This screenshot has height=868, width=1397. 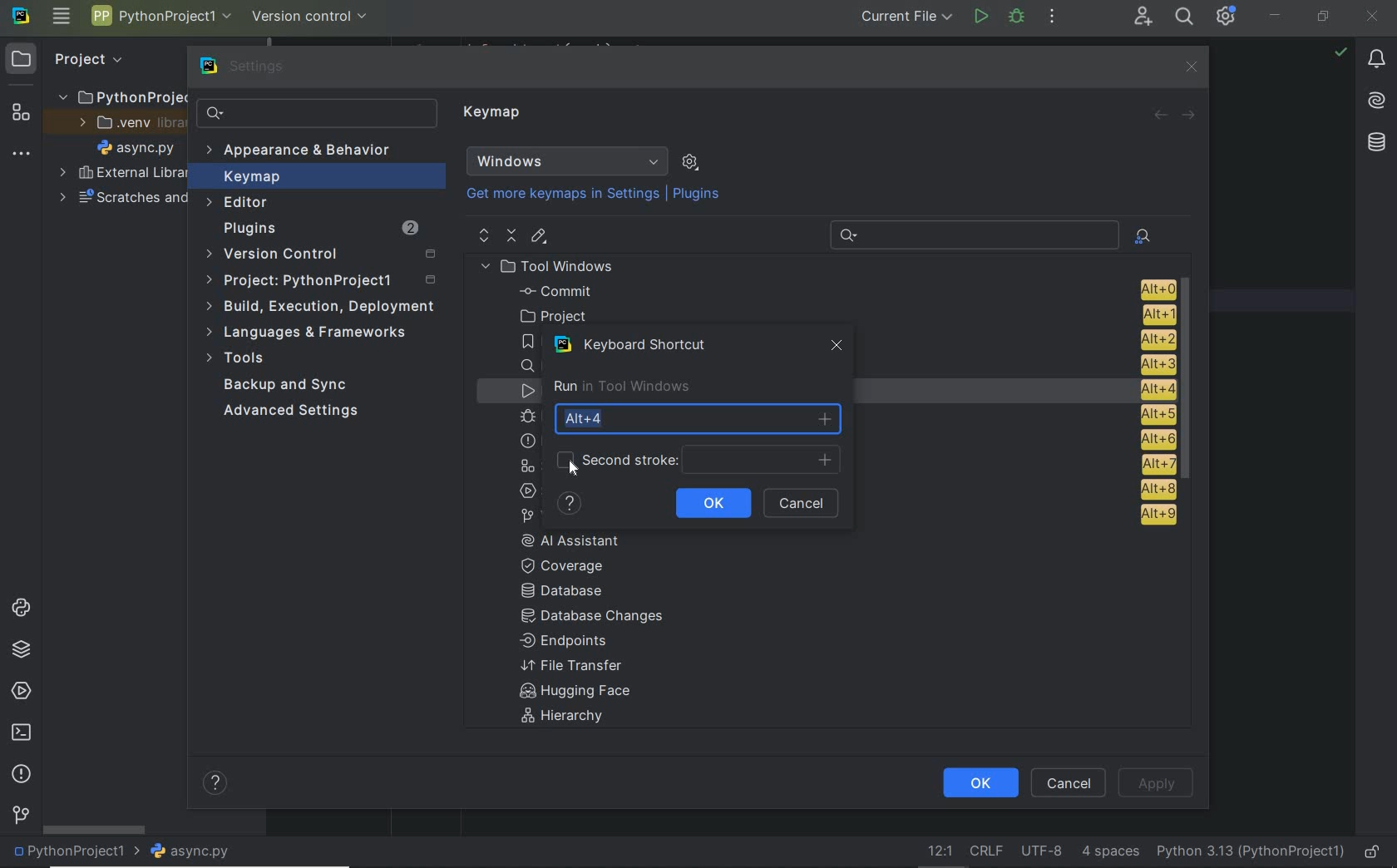 What do you see at coordinates (190, 852) in the screenshot?
I see `file name` at bounding box center [190, 852].